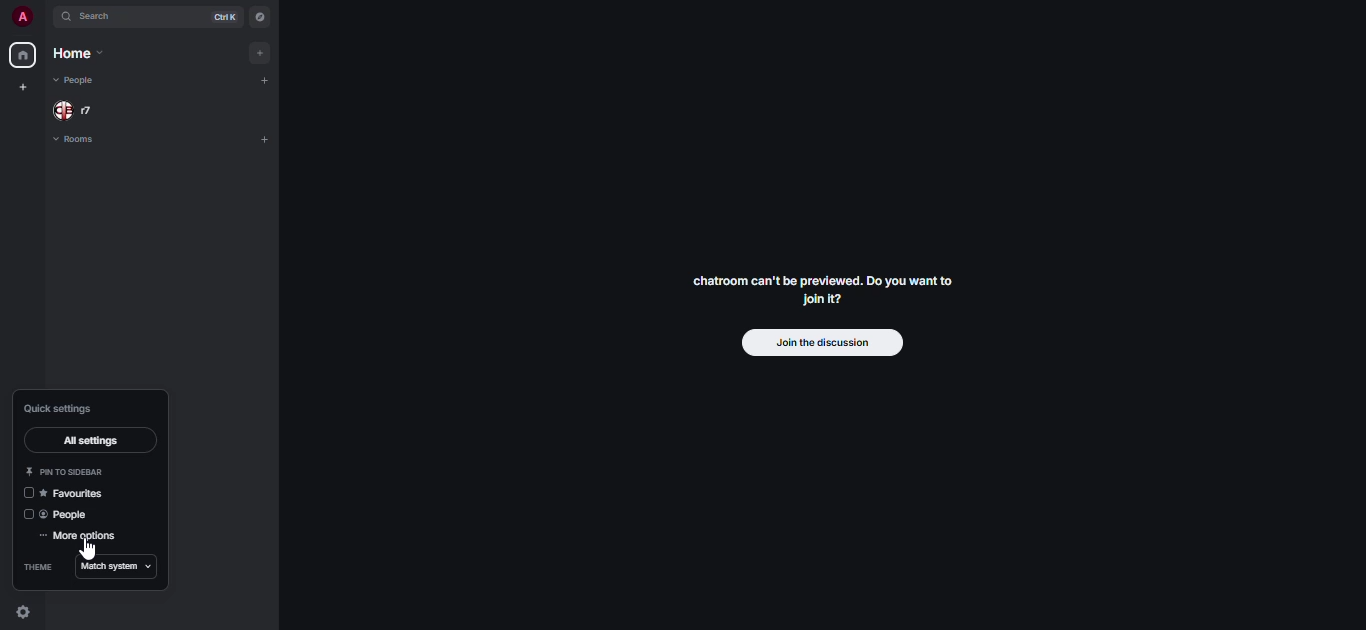 The width and height of the screenshot is (1366, 630). What do you see at coordinates (820, 343) in the screenshot?
I see `join the discussion` at bounding box center [820, 343].